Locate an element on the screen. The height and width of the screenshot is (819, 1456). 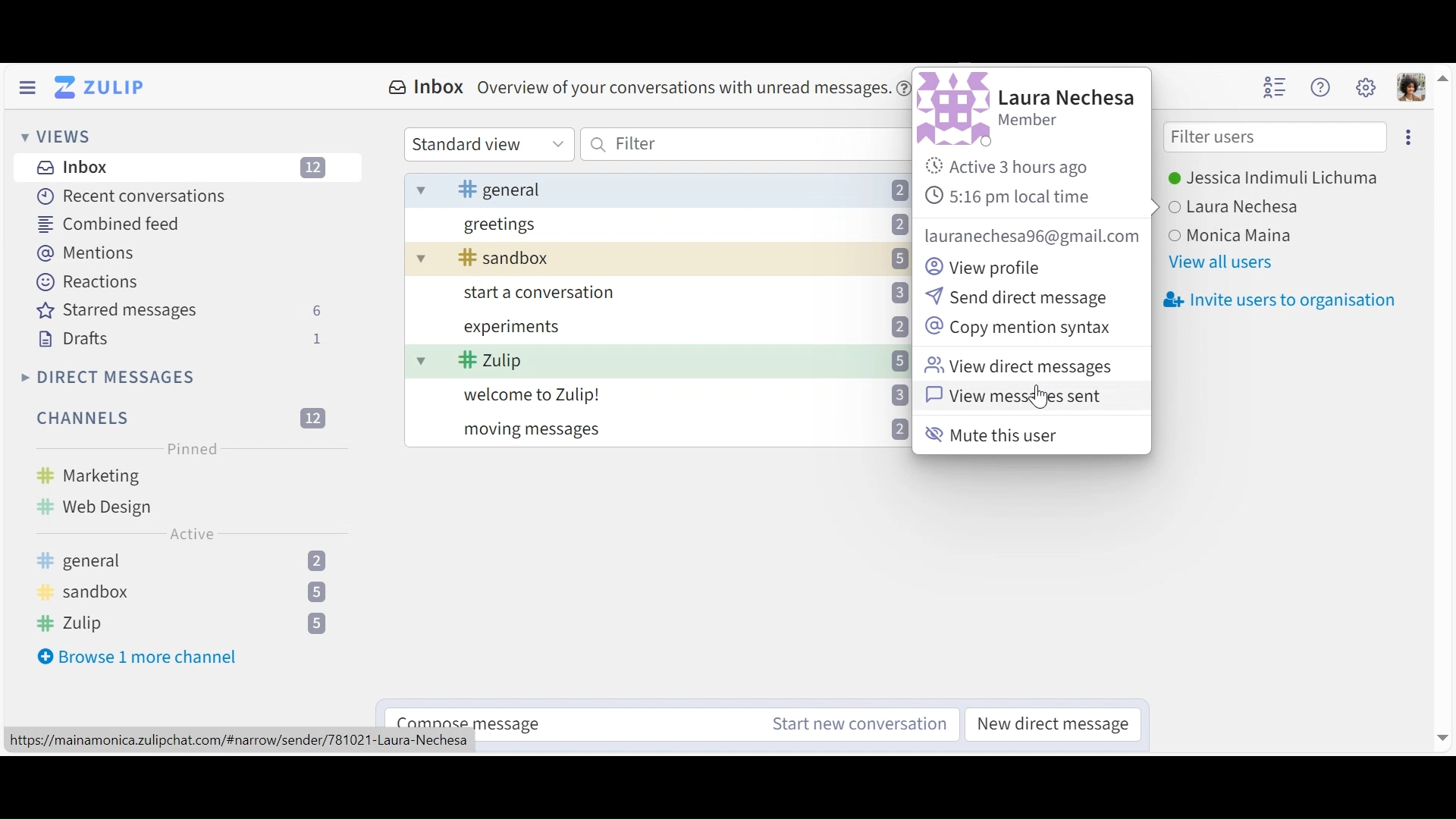
Active Status is located at coordinates (1016, 168).